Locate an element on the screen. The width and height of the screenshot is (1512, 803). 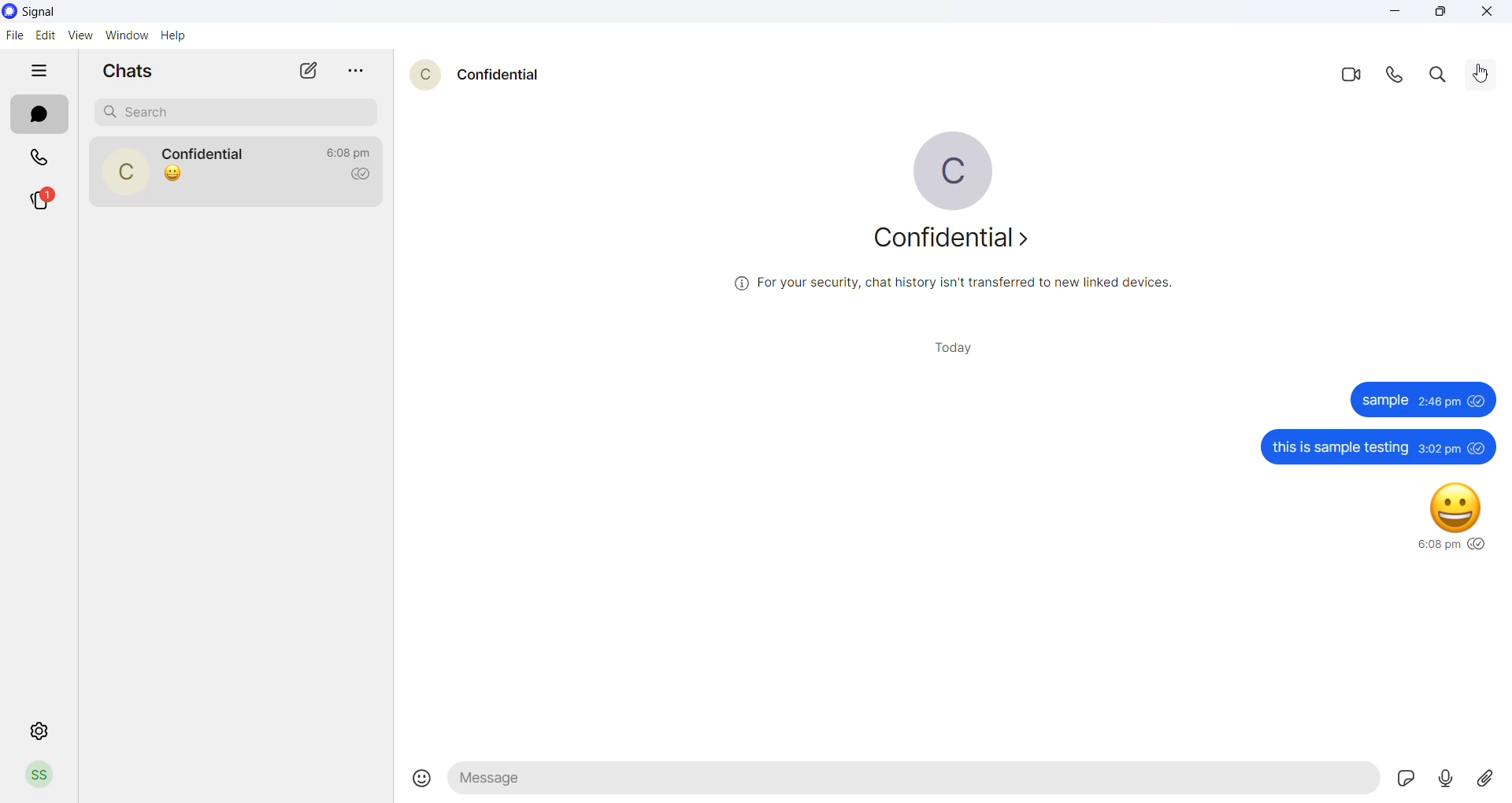
smiley emoji is located at coordinates (1451, 504).